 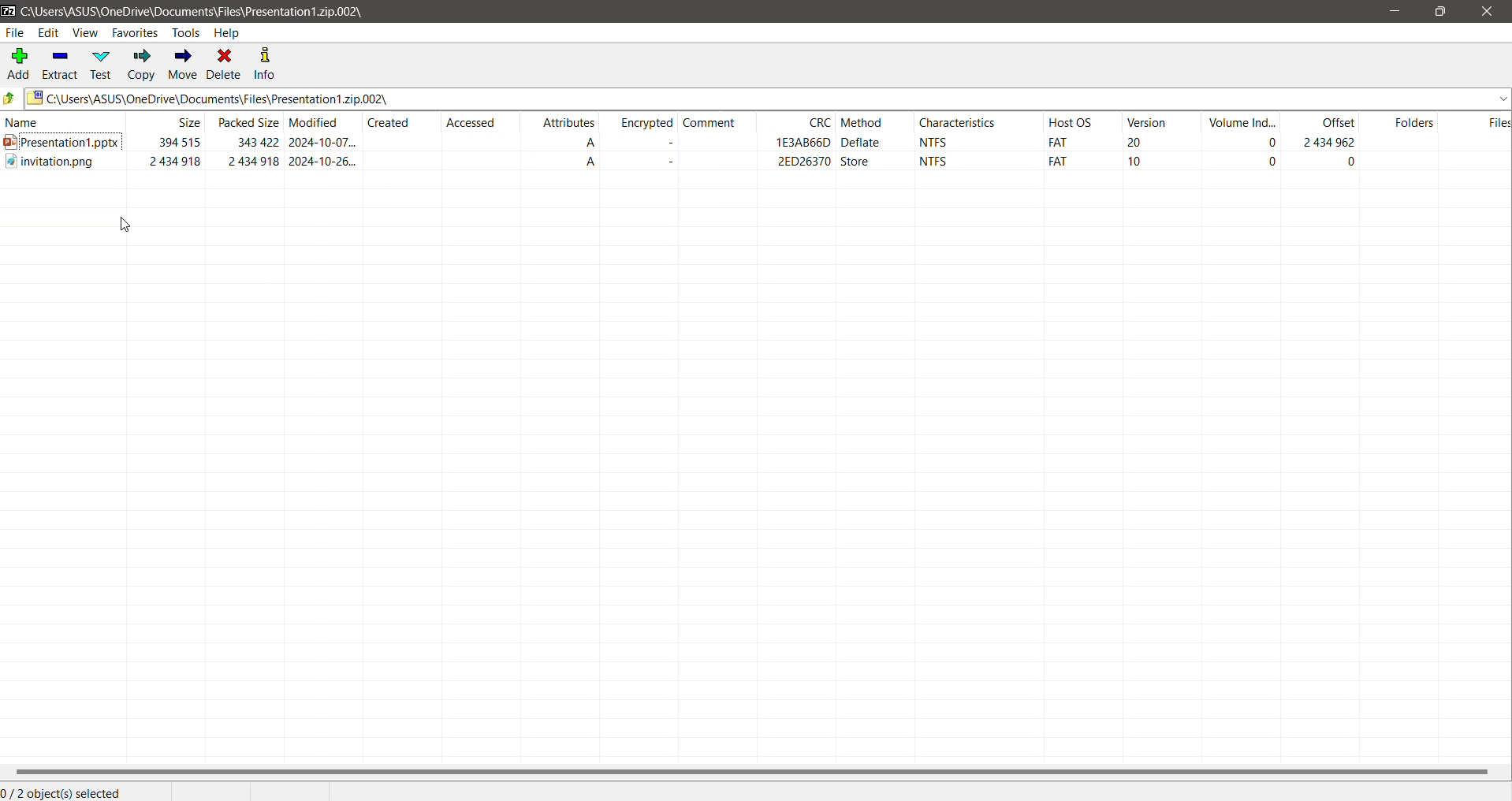 I want to click on presentation’.pptx, so click(x=61, y=145).